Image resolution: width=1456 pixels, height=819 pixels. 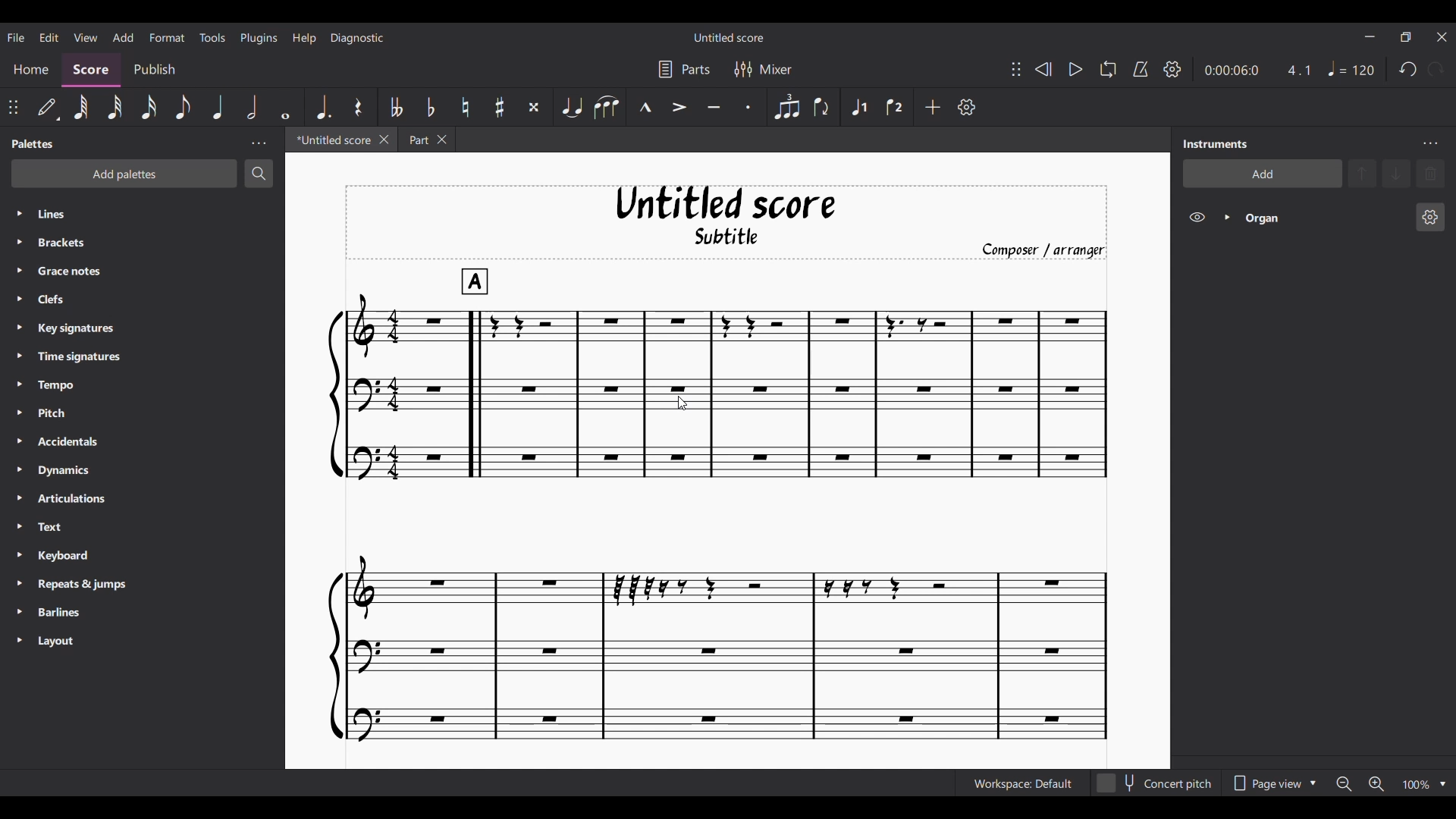 I want to click on Voice 1, so click(x=858, y=108).